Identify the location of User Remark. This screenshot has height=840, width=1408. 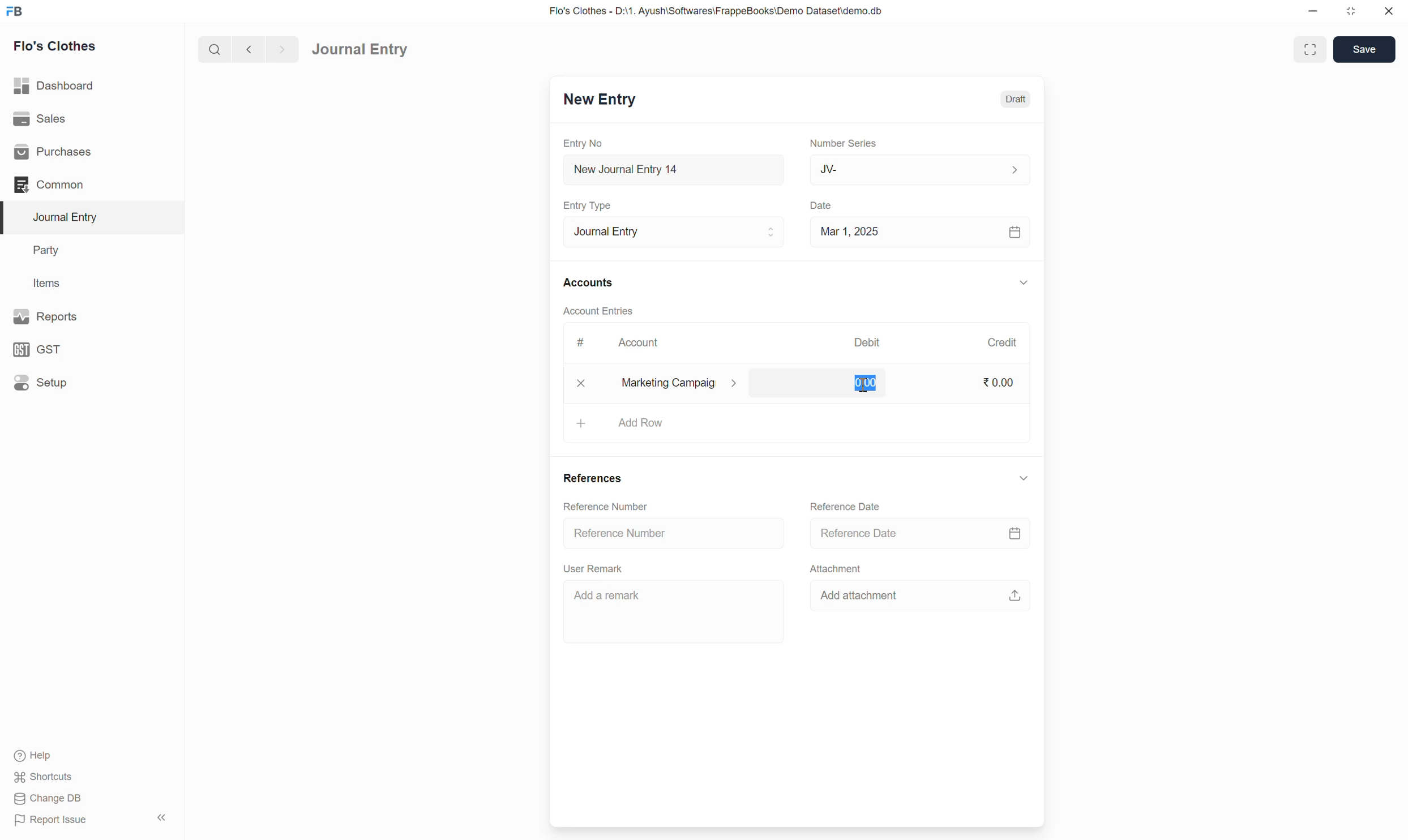
(596, 568).